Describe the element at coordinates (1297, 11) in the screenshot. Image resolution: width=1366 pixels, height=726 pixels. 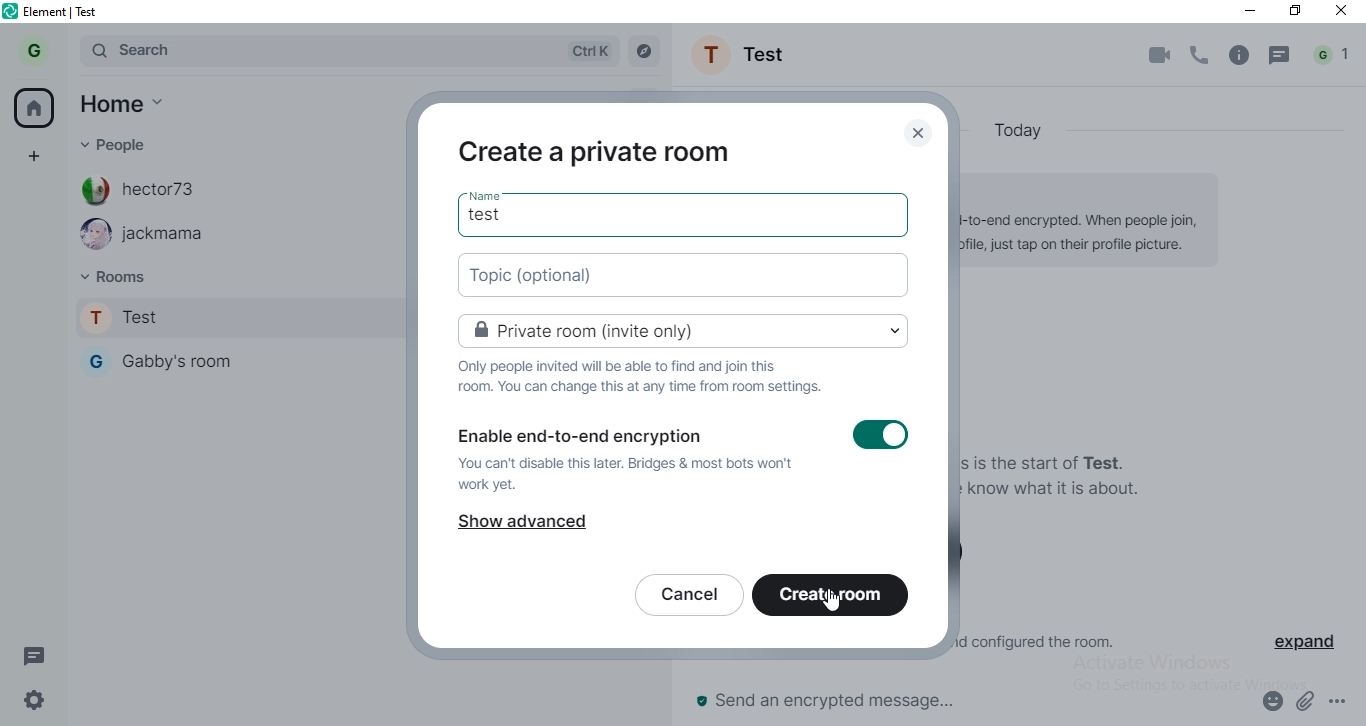
I see `restore` at that location.